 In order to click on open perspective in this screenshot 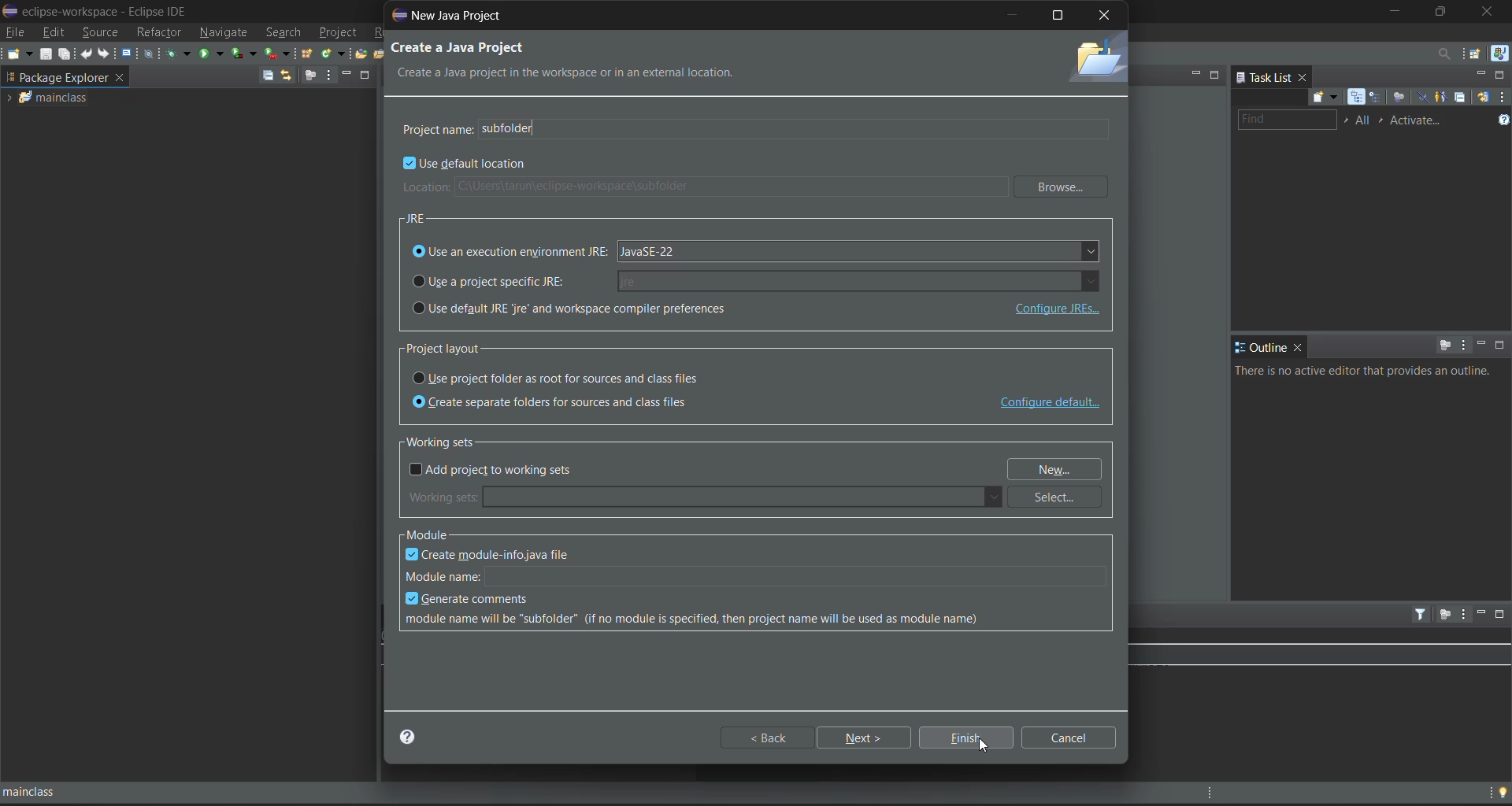, I will do `click(1473, 54)`.